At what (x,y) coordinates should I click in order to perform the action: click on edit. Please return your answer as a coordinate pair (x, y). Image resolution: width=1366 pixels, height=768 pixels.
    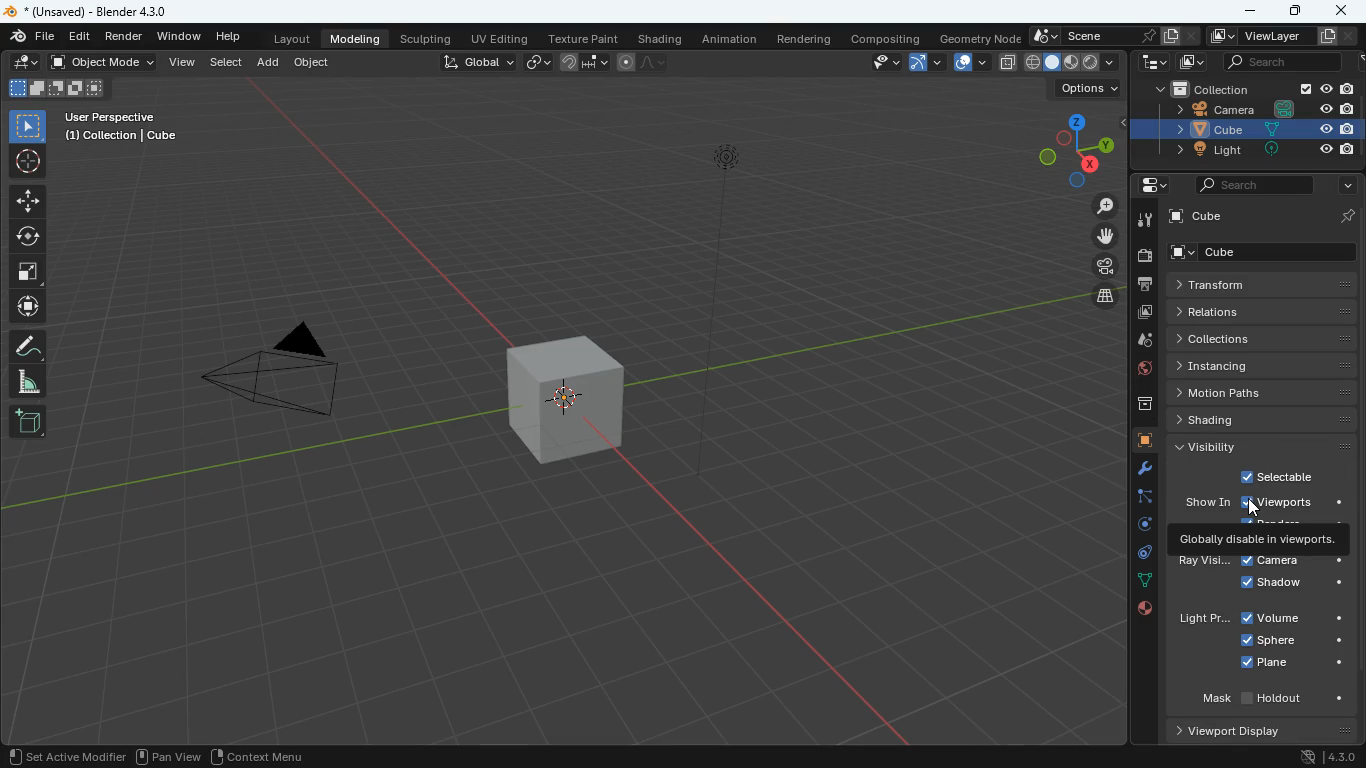
    Looking at the image, I should click on (79, 37).